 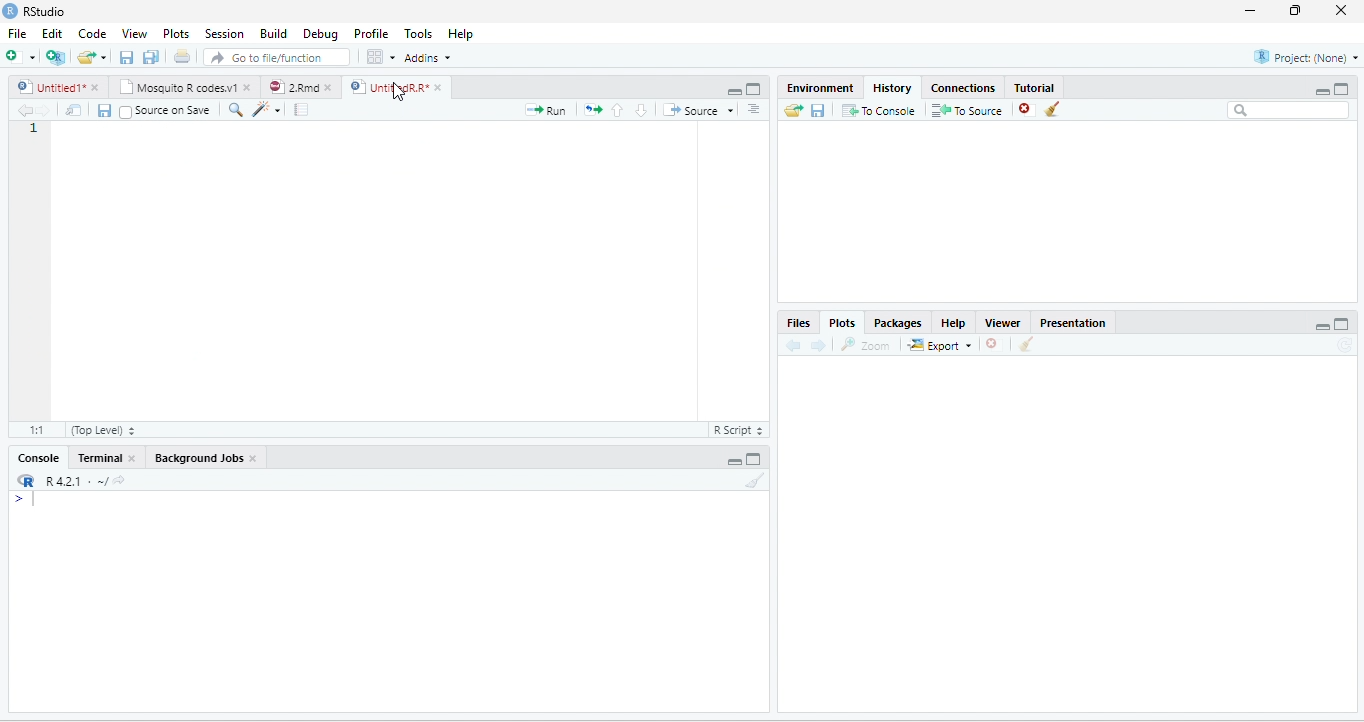 I want to click on View the current working directory, so click(x=119, y=479).